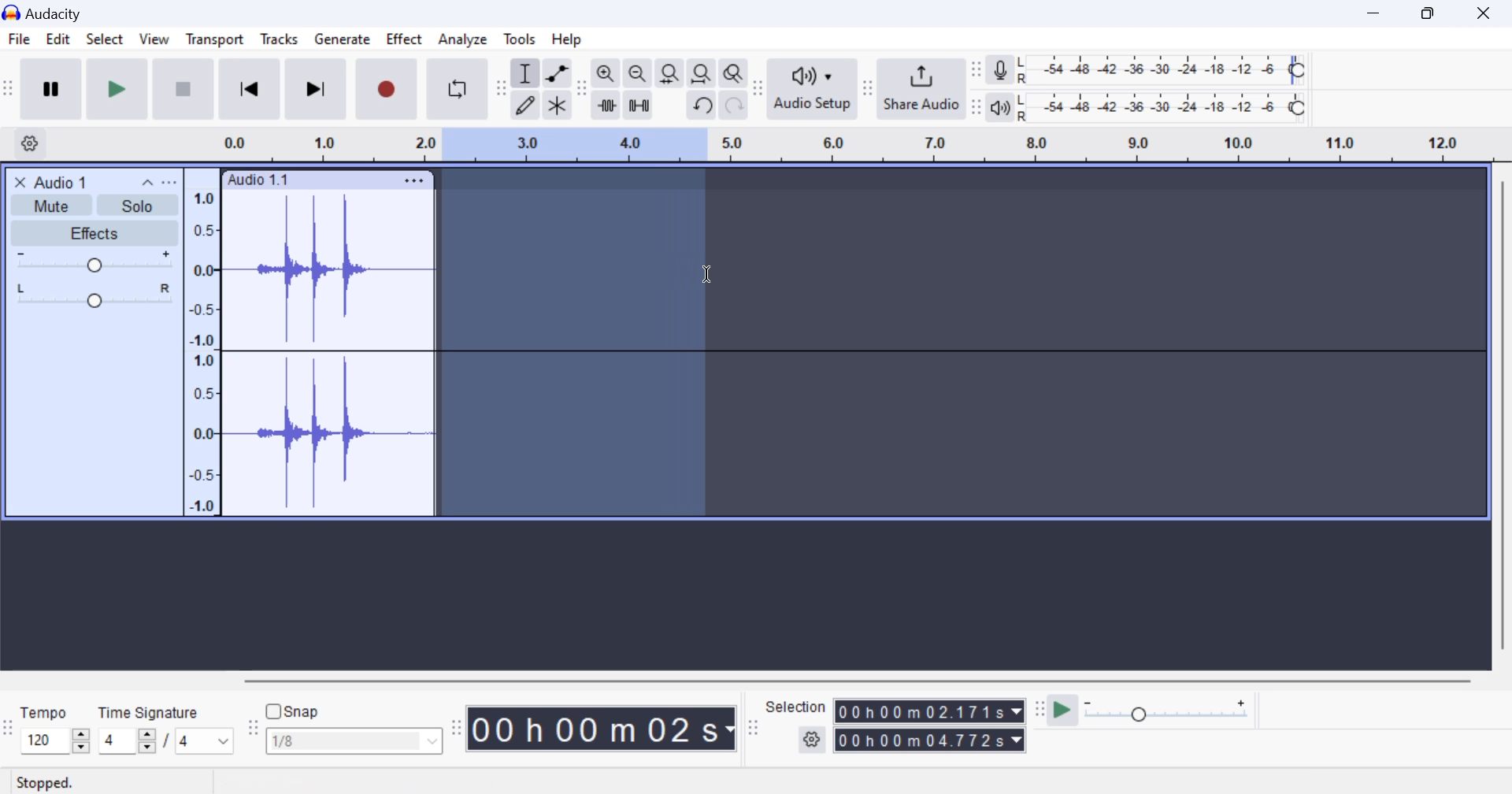  Describe the element at coordinates (735, 75) in the screenshot. I see `zoom toggle` at that location.